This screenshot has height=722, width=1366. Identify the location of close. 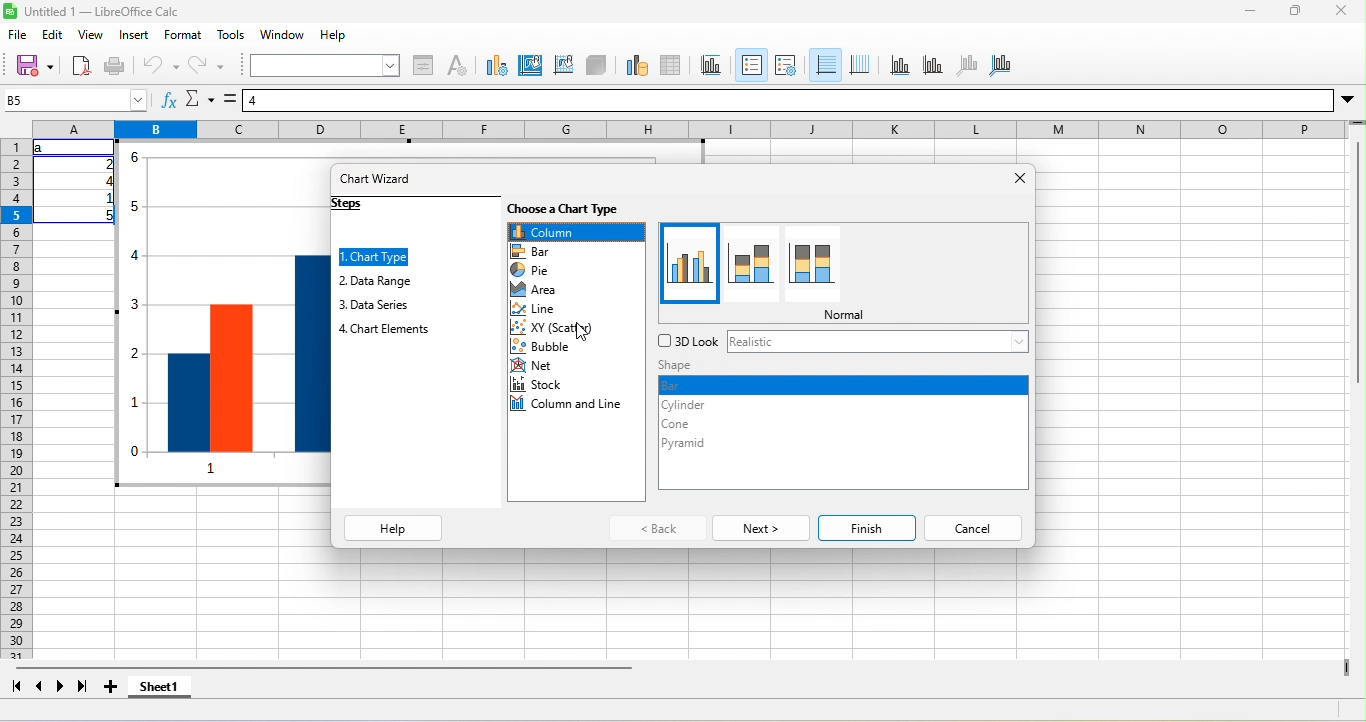
(1021, 178).